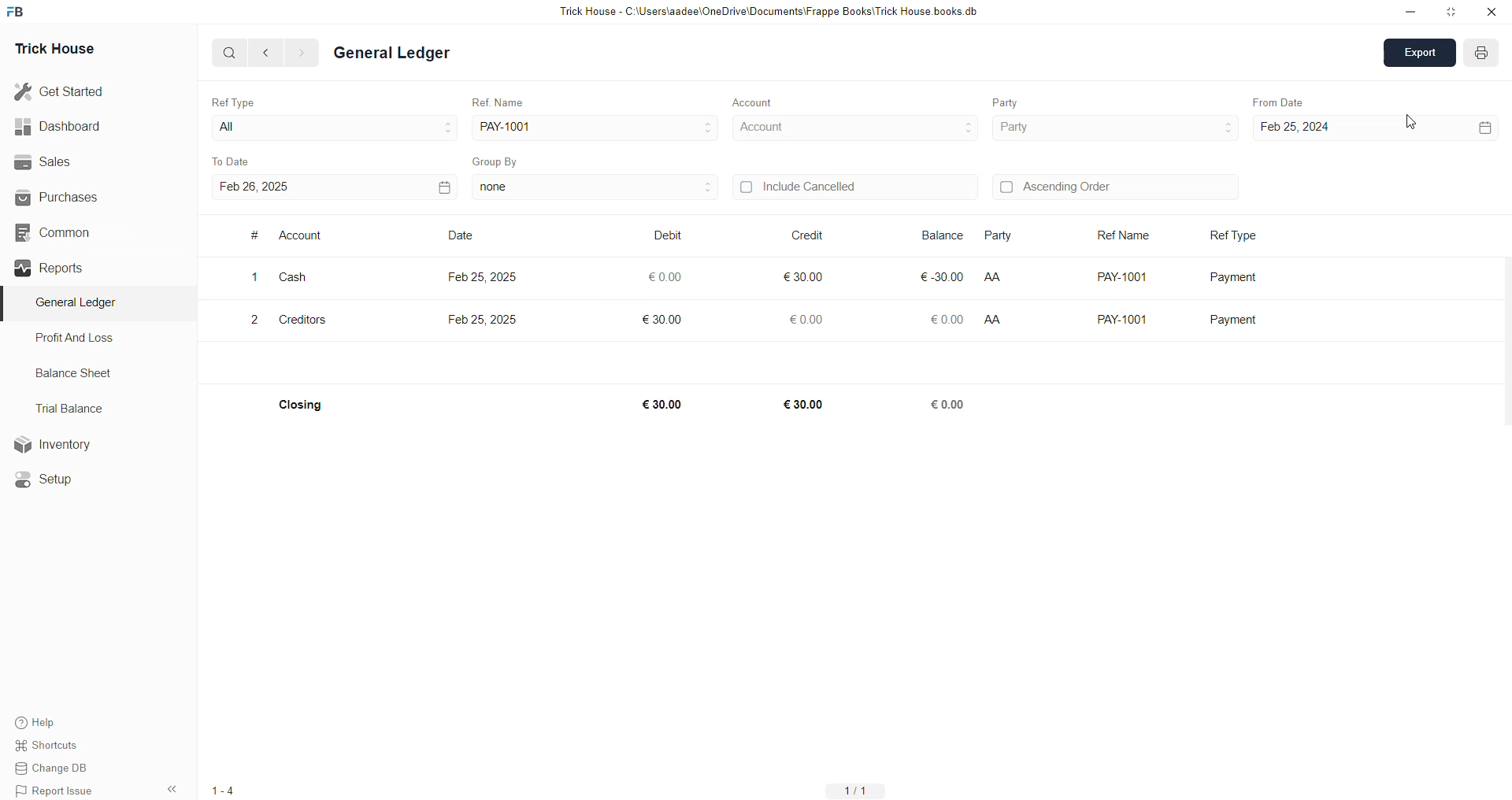 The width and height of the screenshot is (1512, 800). Describe the element at coordinates (1120, 275) in the screenshot. I see `PAY-1001` at that location.